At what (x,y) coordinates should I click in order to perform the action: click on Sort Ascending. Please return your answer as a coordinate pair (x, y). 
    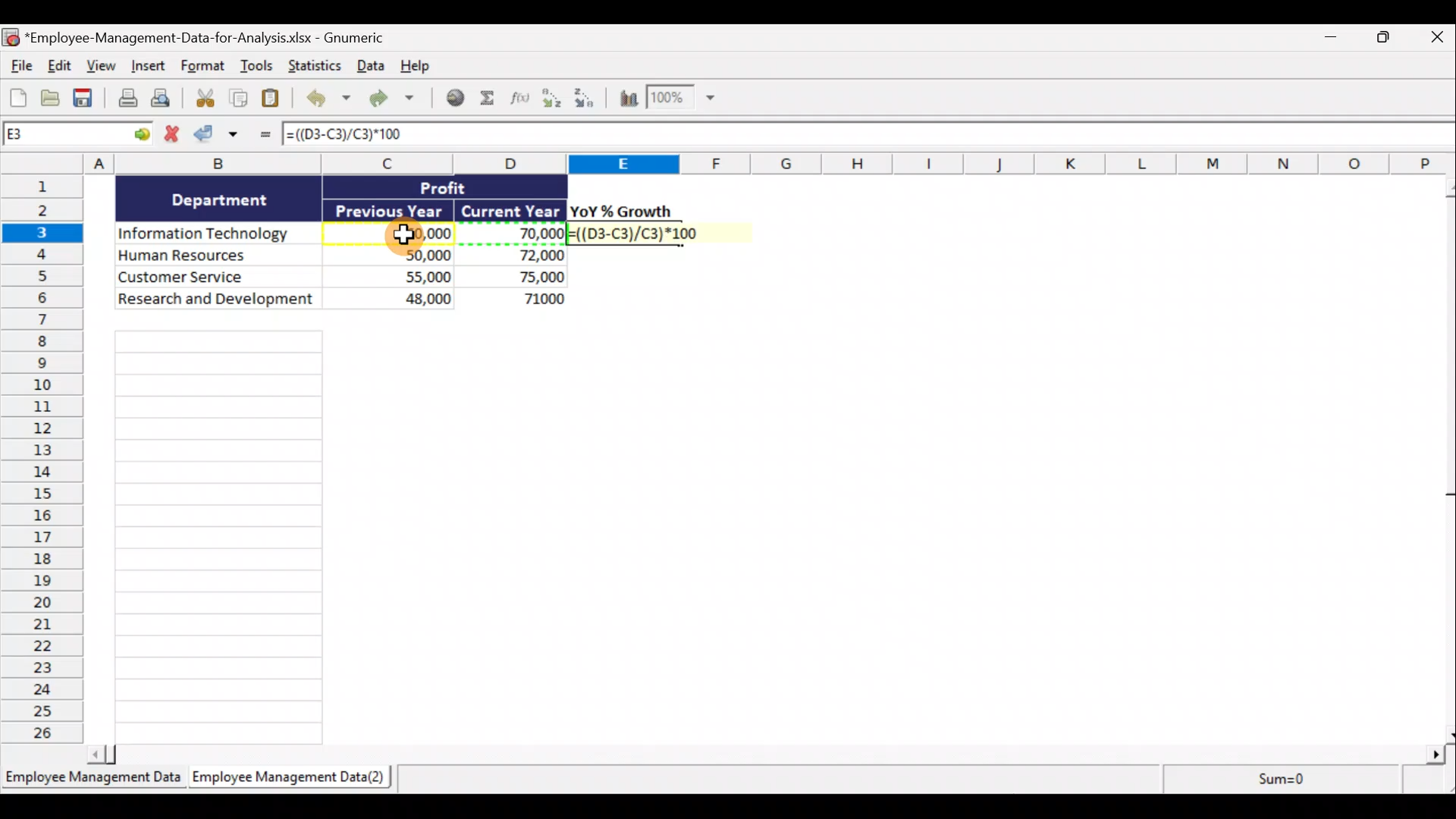
    Looking at the image, I should click on (553, 100).